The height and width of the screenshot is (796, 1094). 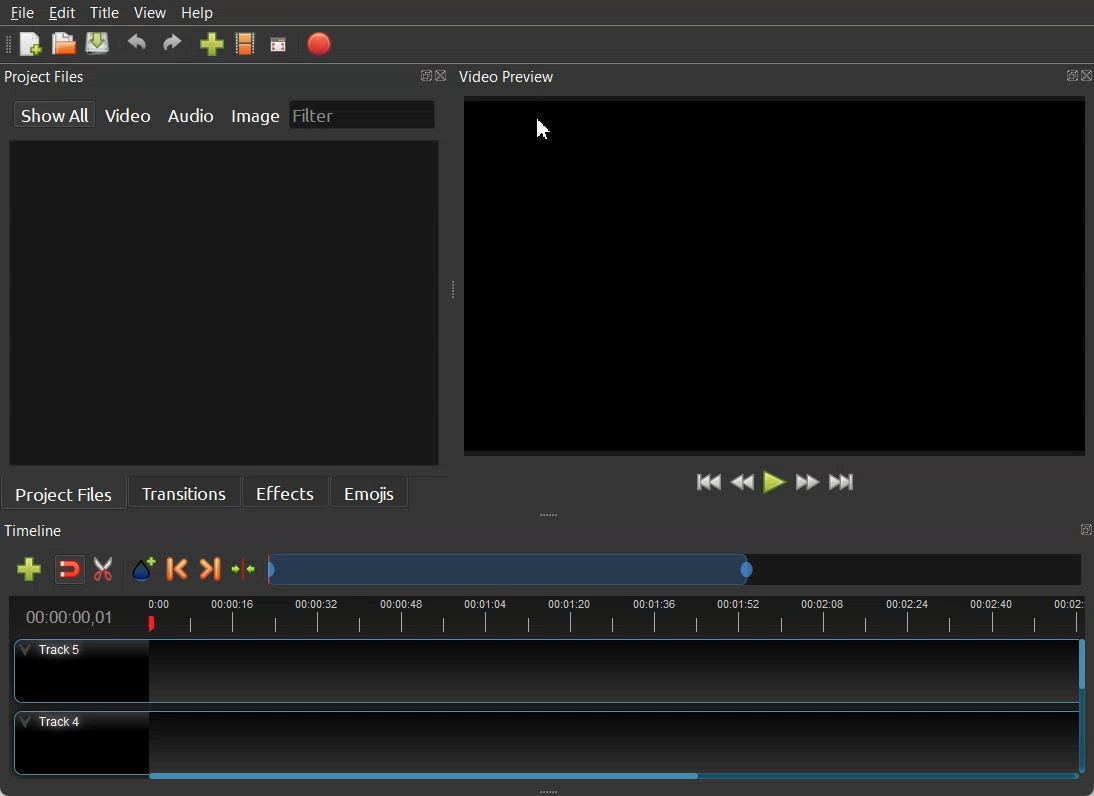 I want to click on Video Zoom, so click(x=775, y=276).